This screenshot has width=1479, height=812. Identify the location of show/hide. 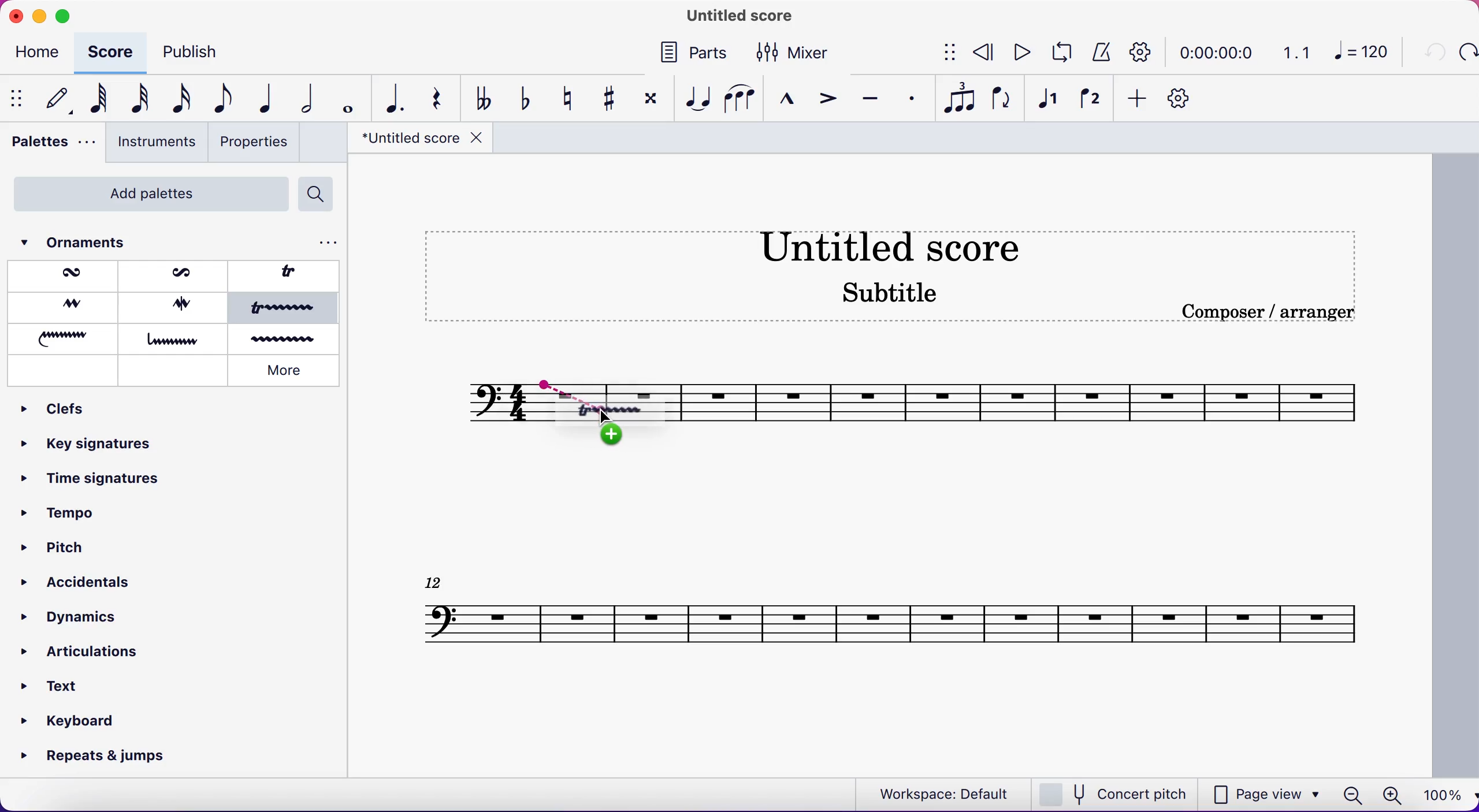
(16, 99).